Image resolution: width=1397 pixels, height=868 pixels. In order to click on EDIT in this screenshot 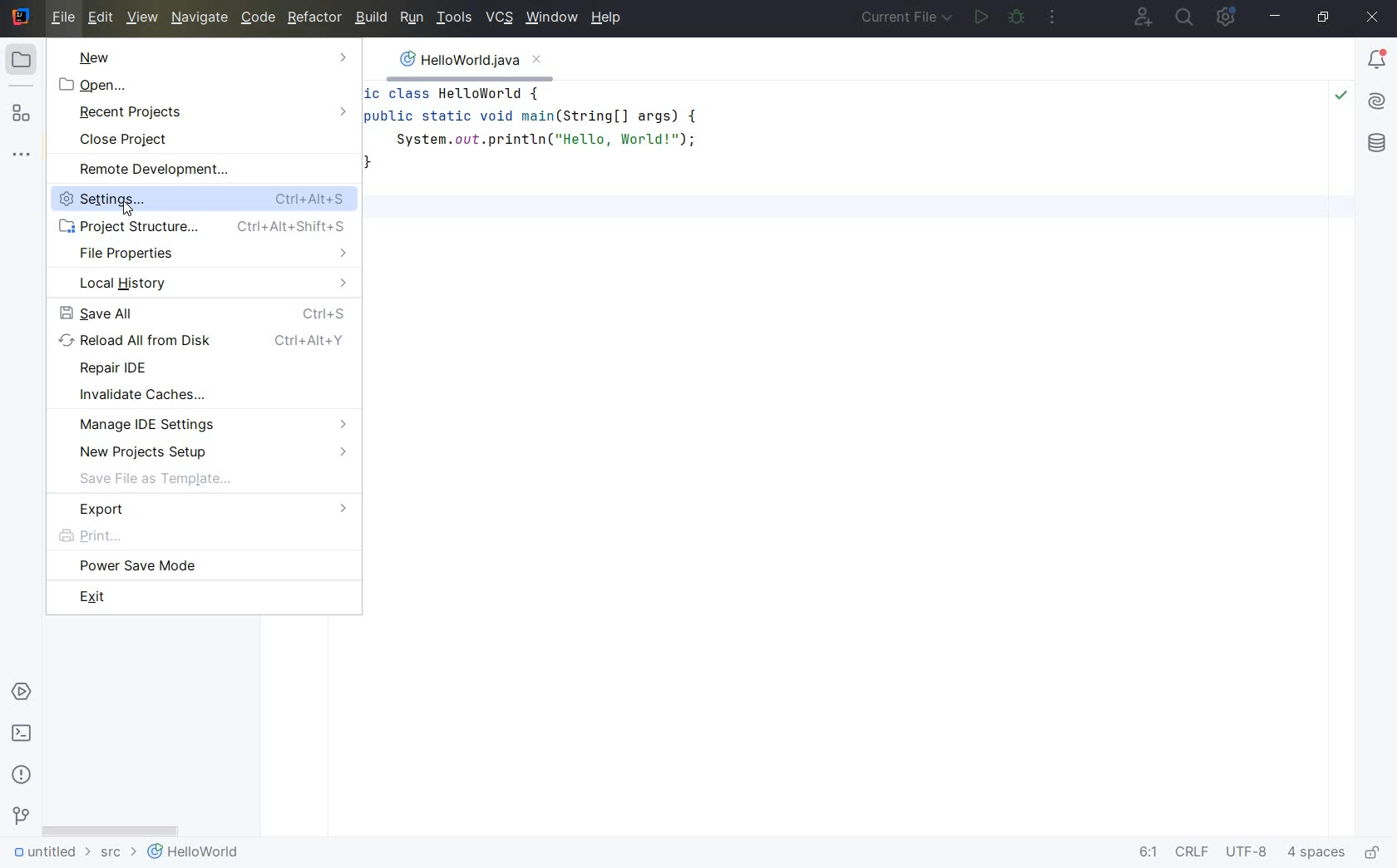, I will do `click(103, 19)`.